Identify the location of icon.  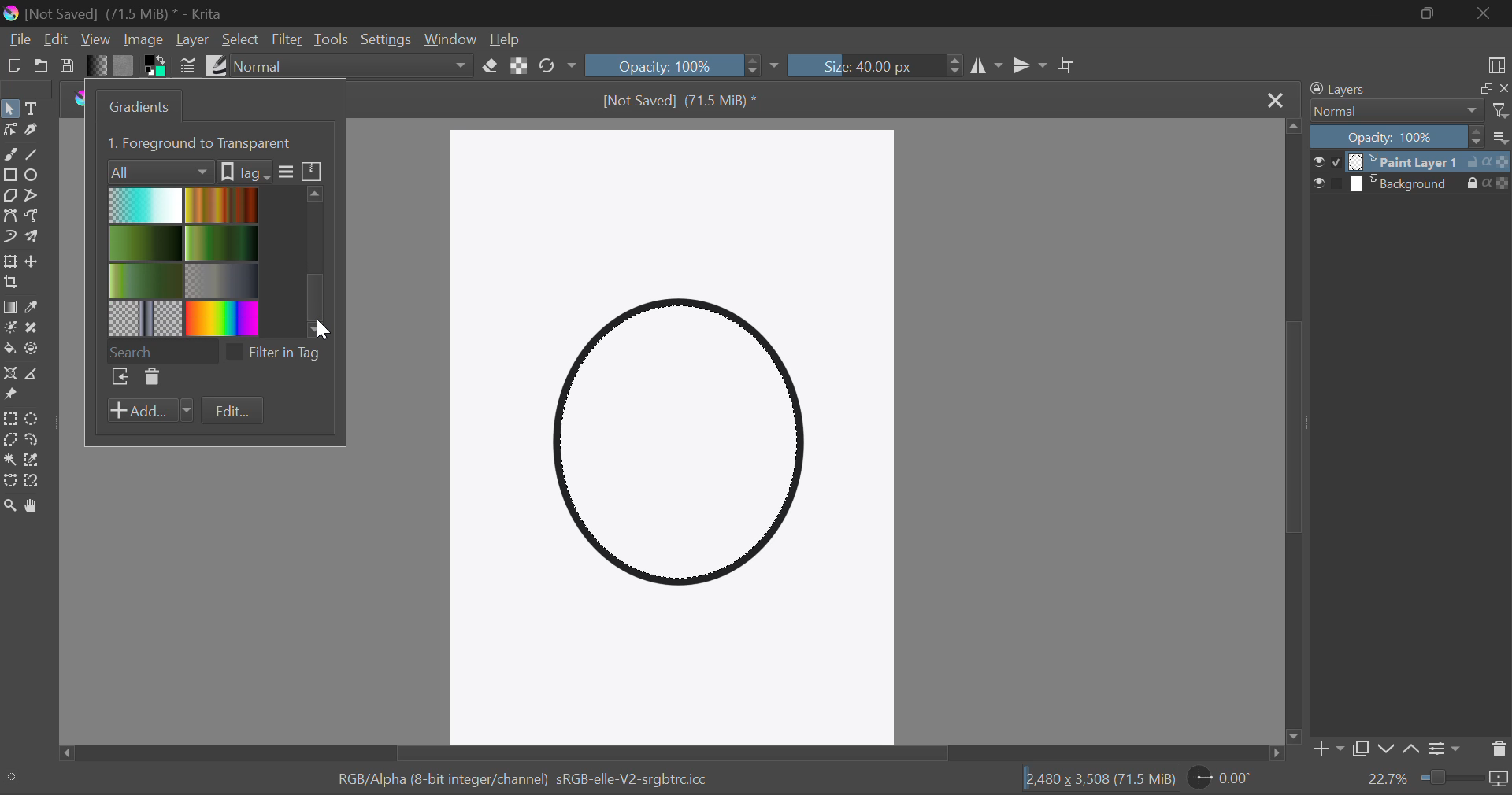
(313, 170).